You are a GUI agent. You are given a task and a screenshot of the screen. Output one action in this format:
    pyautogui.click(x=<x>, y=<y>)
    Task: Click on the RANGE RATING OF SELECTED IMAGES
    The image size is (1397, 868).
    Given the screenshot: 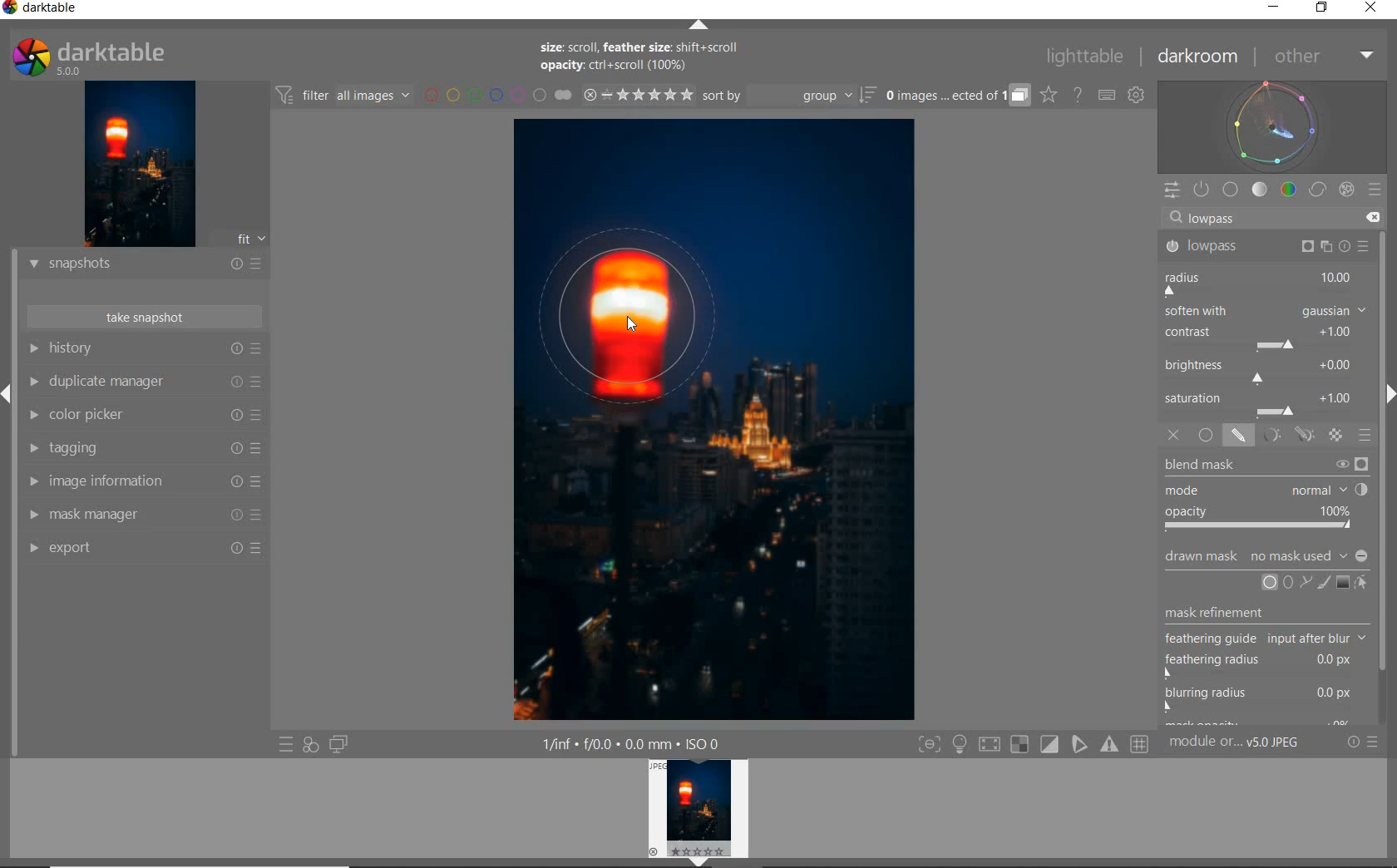 What is the action you would take?
    pyautogui.click(x=635, y=96)
    